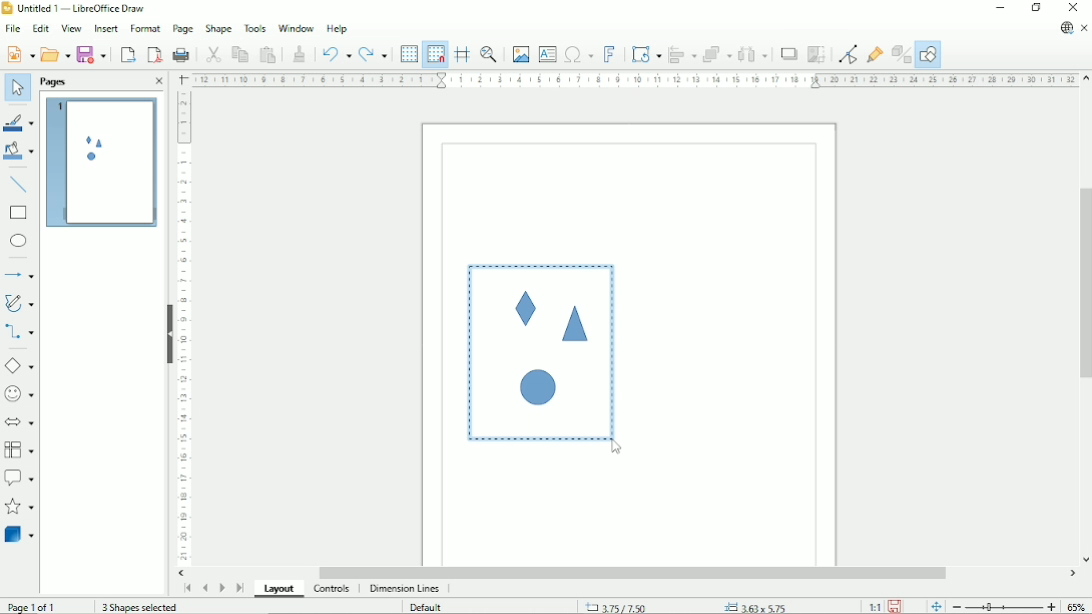 This screenshot has height=614, width=1092. I want to click on Vertical scale, so click(184, 328).